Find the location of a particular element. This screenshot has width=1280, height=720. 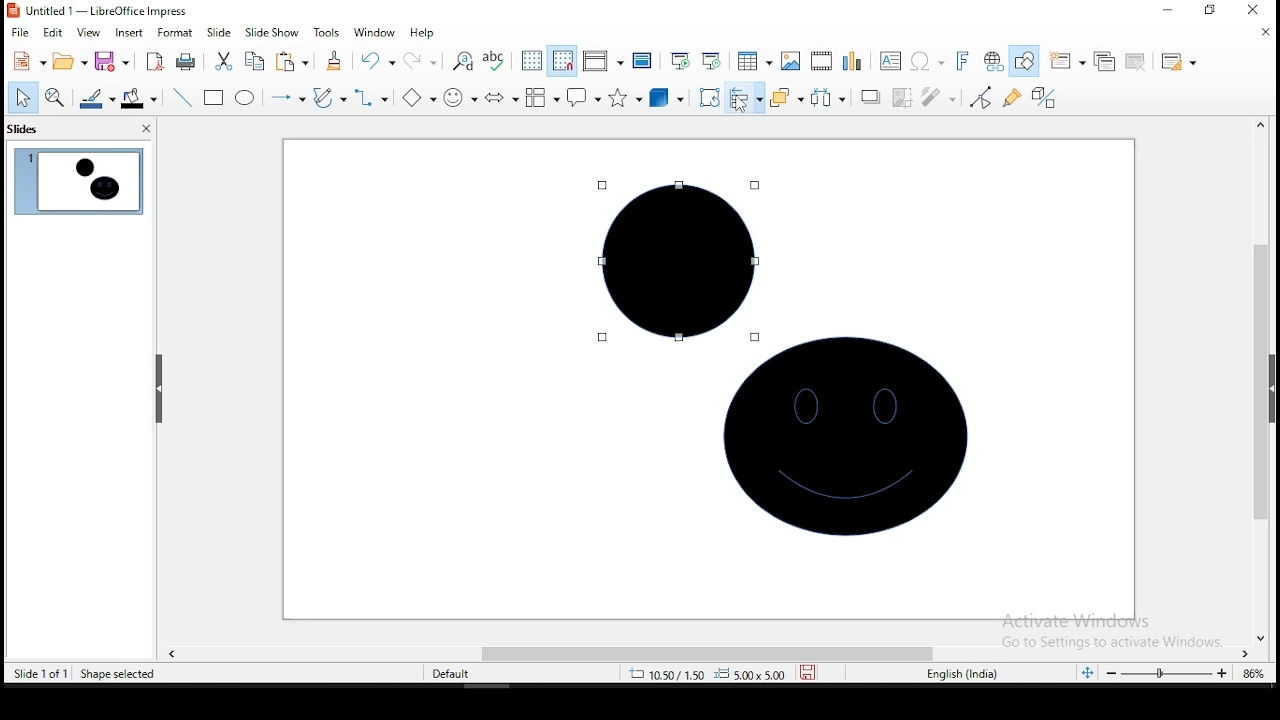

snap to grid is located at coordinates (561, 61).